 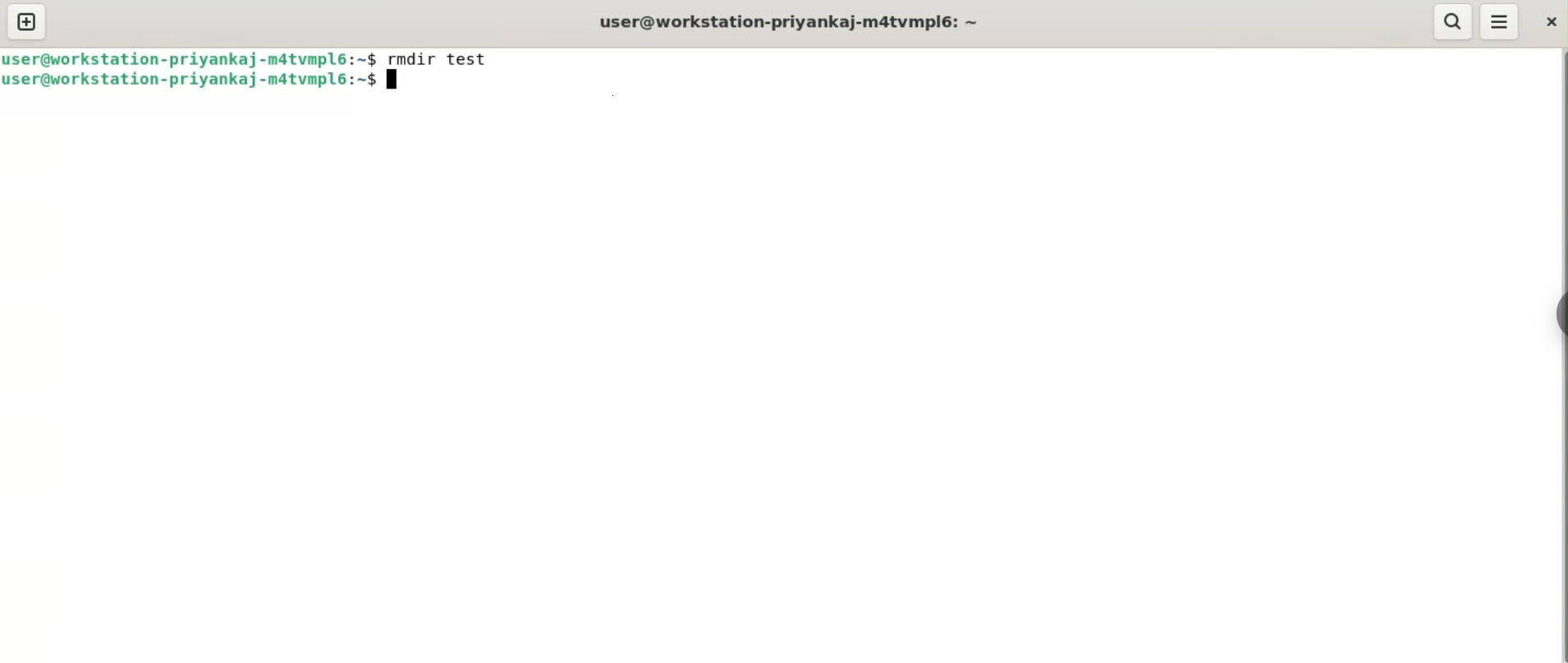 I want to click on sidebar, so click(x=1558, y=318).